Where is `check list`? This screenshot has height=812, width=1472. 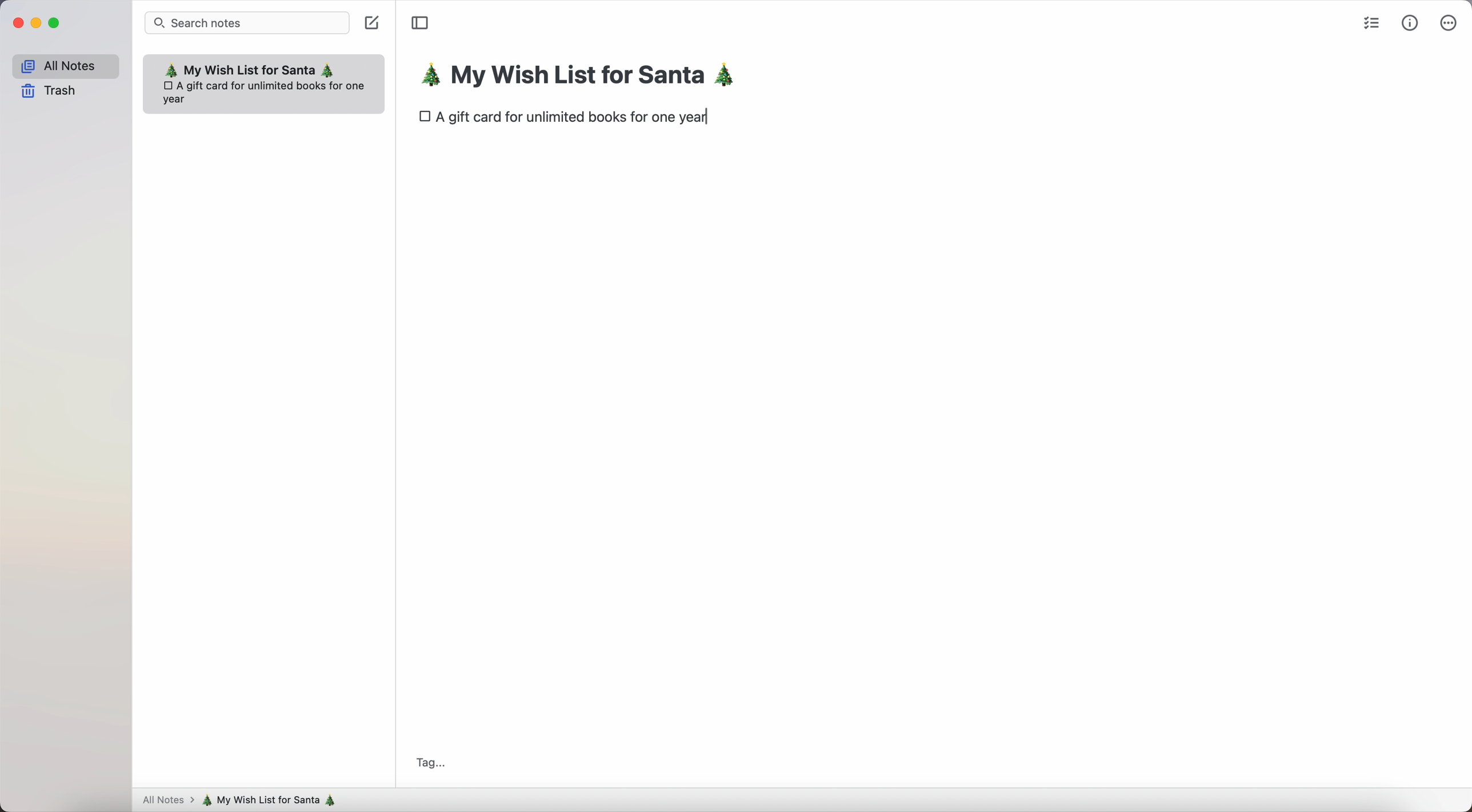 check list is located at coordinates (1369, 22).